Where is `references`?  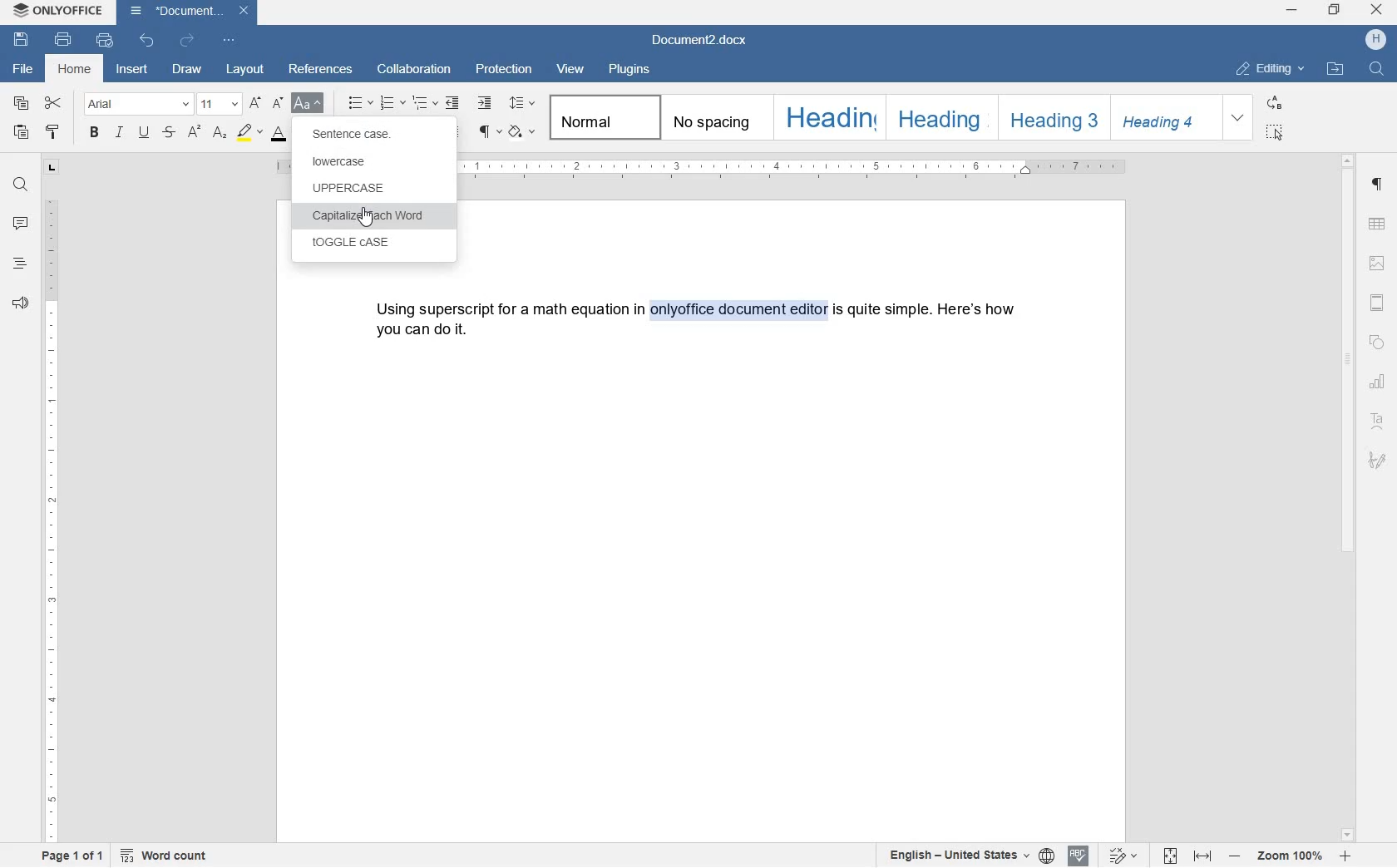 references is located at coordinates (321, 71).